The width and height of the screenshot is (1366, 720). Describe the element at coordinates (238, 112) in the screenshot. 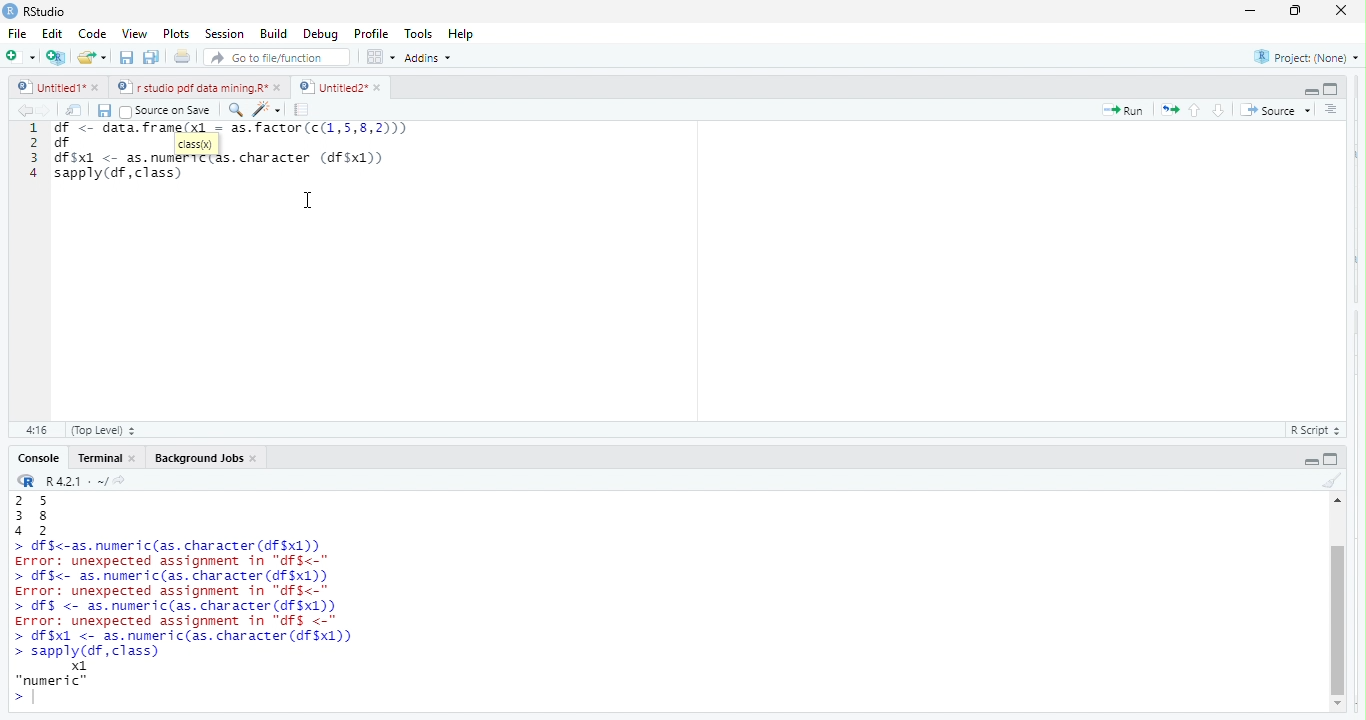

I see `find/replace` at that location.